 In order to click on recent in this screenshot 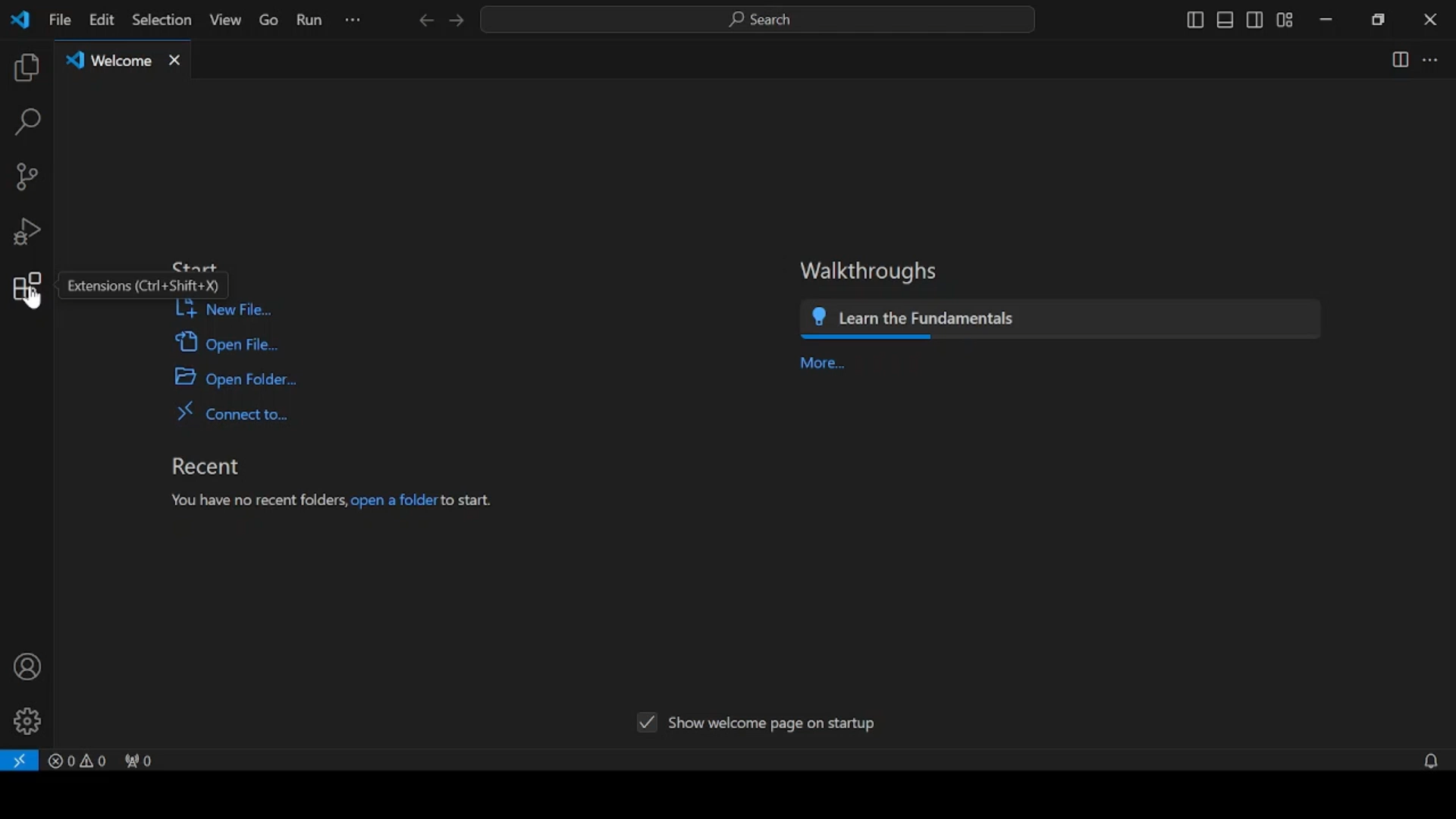, I will do `click(206, 466)`.